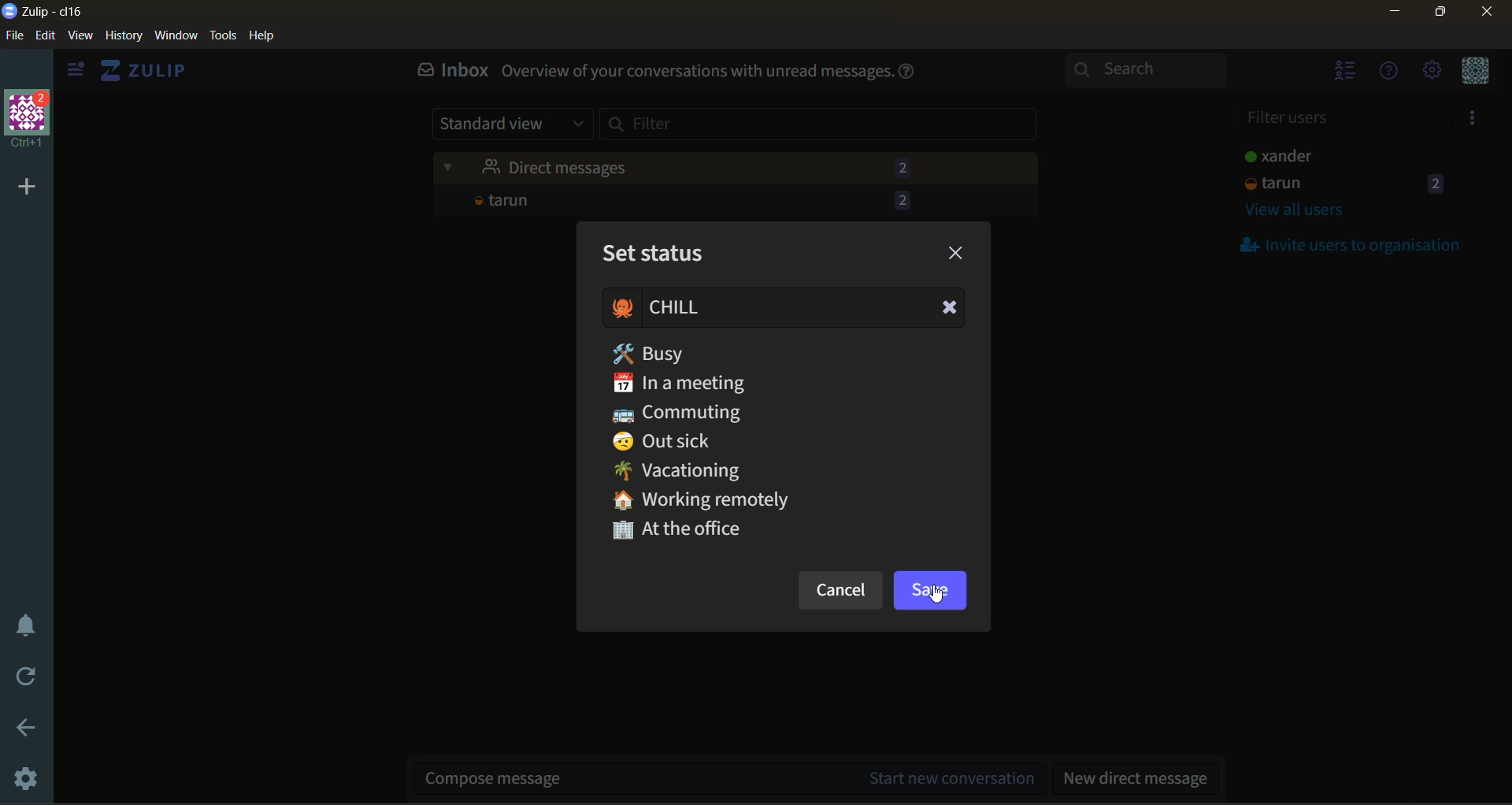 The width and height of the screenshot is (1512, 805). Describe the element at coordinates (46, 12) in the screenshot. I see `app name and organisation name` at that location.